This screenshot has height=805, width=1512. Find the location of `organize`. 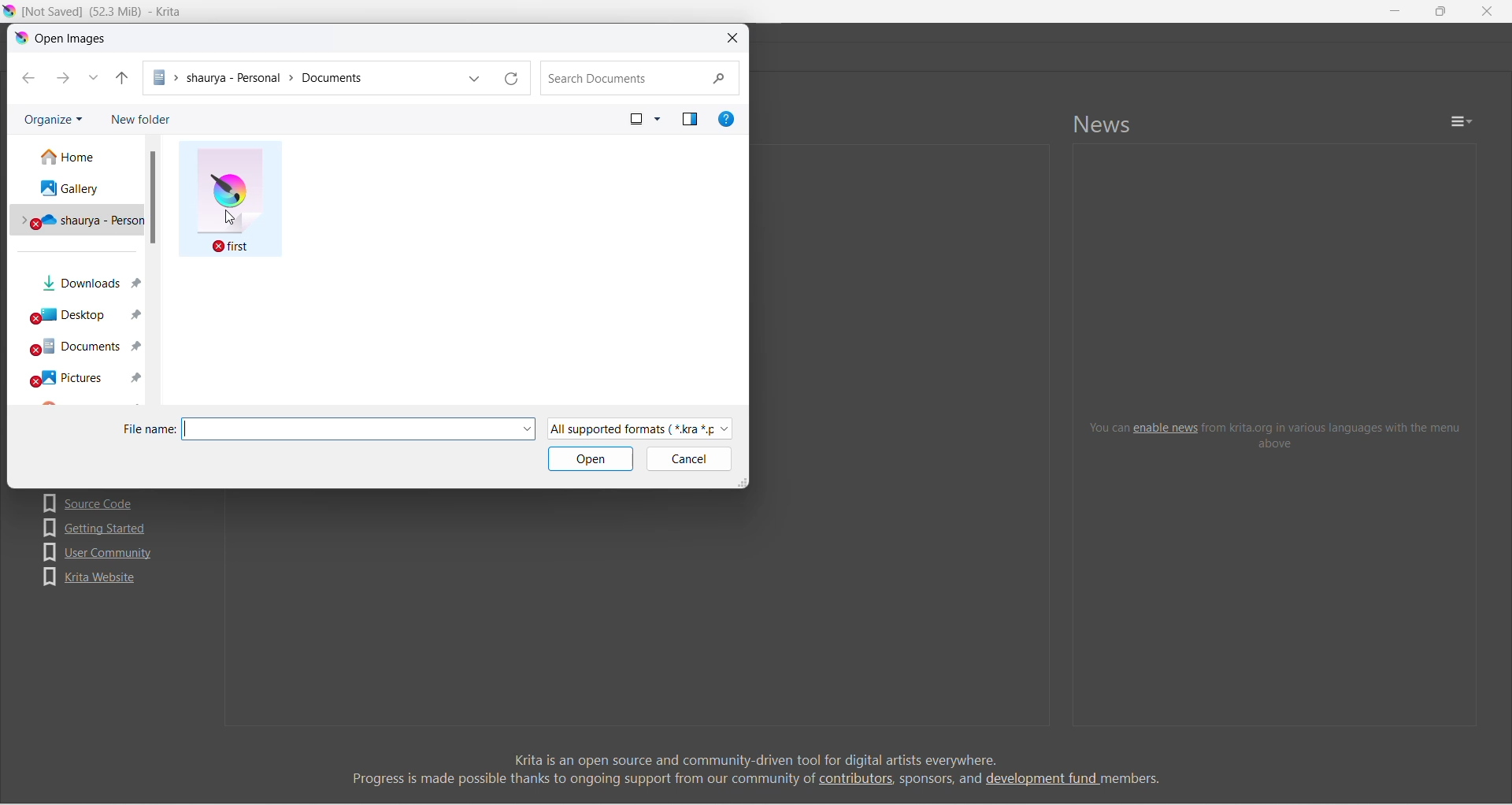

organize is located at coordinates (54, 118).